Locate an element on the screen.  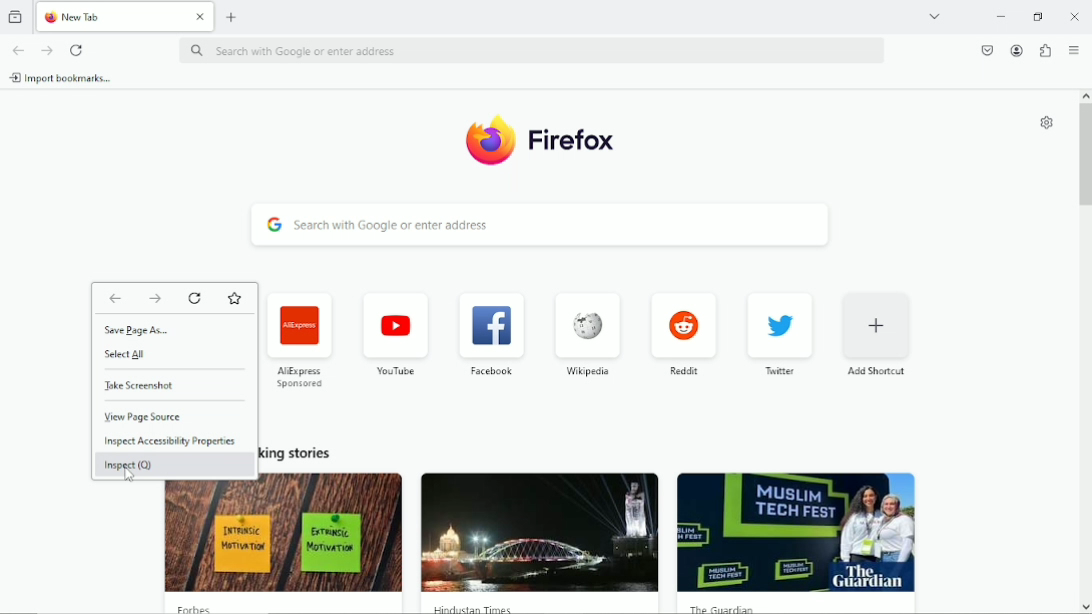
Search with google or enter address is located at coordinates (534, 50).